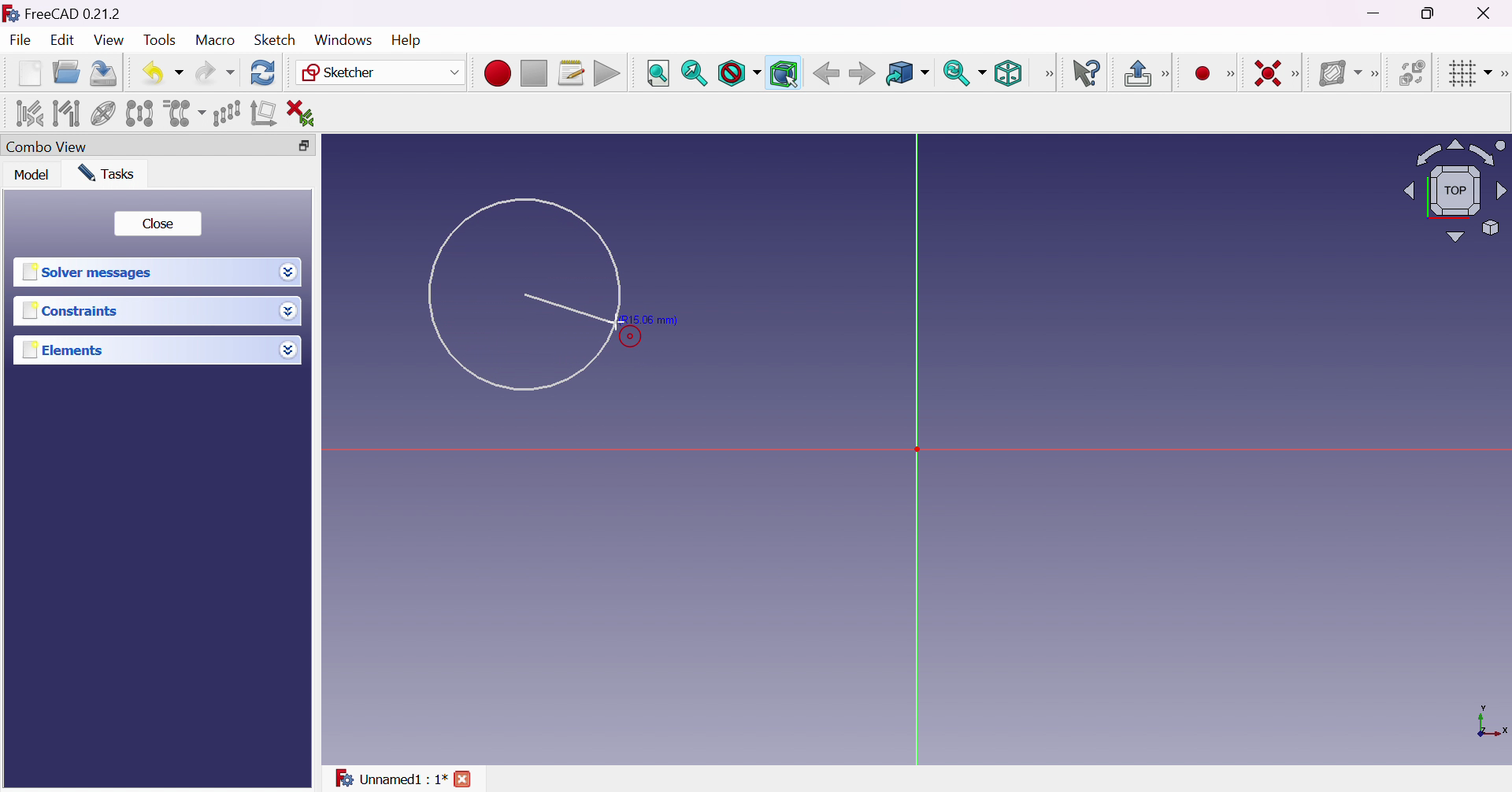 Image resolution: width=1512 pixels, height=792 pixels. What do you see at coordinates (532, 74) in the screenshot?
I see `Stop macro recording` at bounding box center [532, 74].